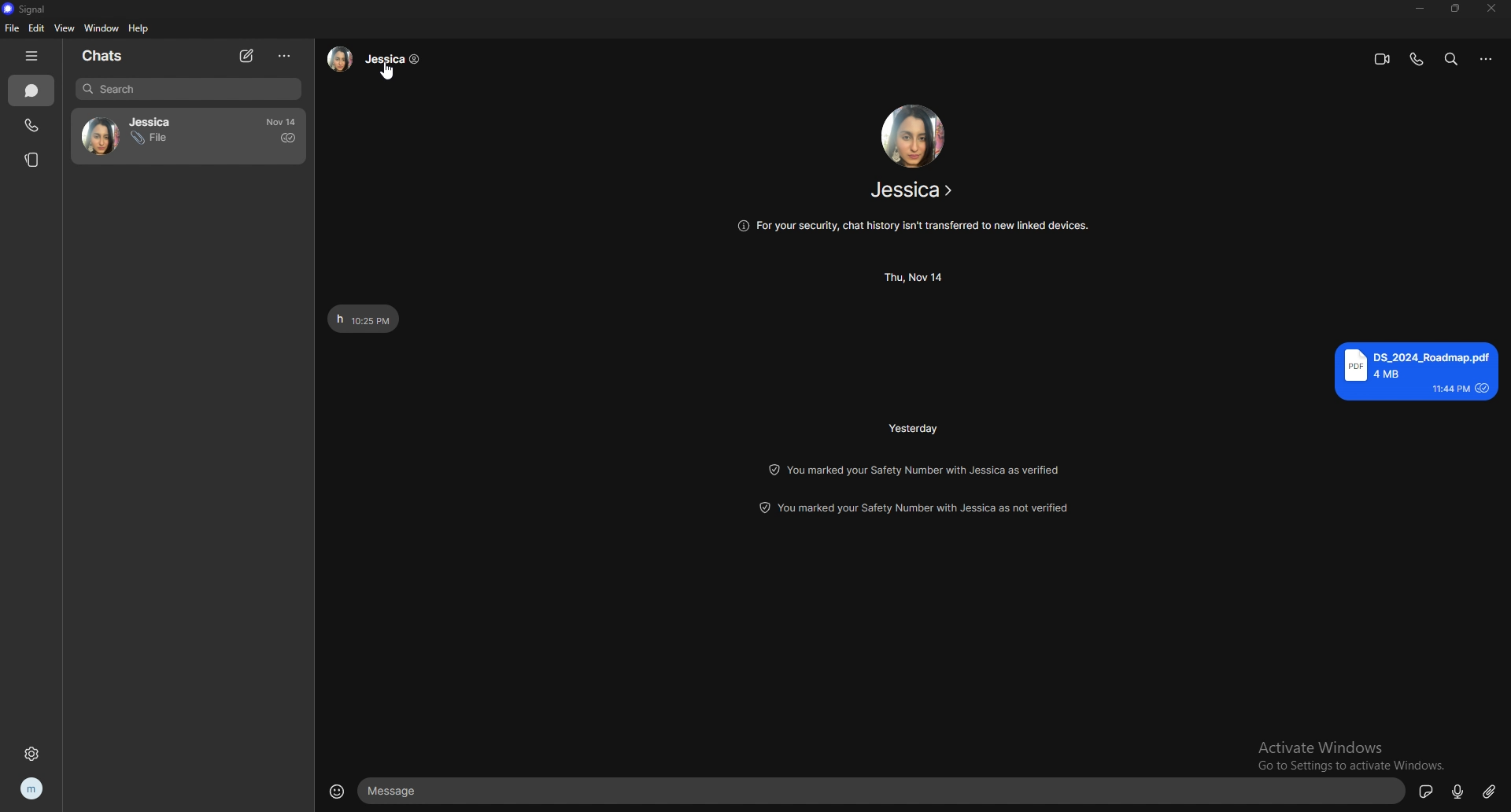 This screenshot has width=1511, height=812. I want to click on chats, so click(31, 90).